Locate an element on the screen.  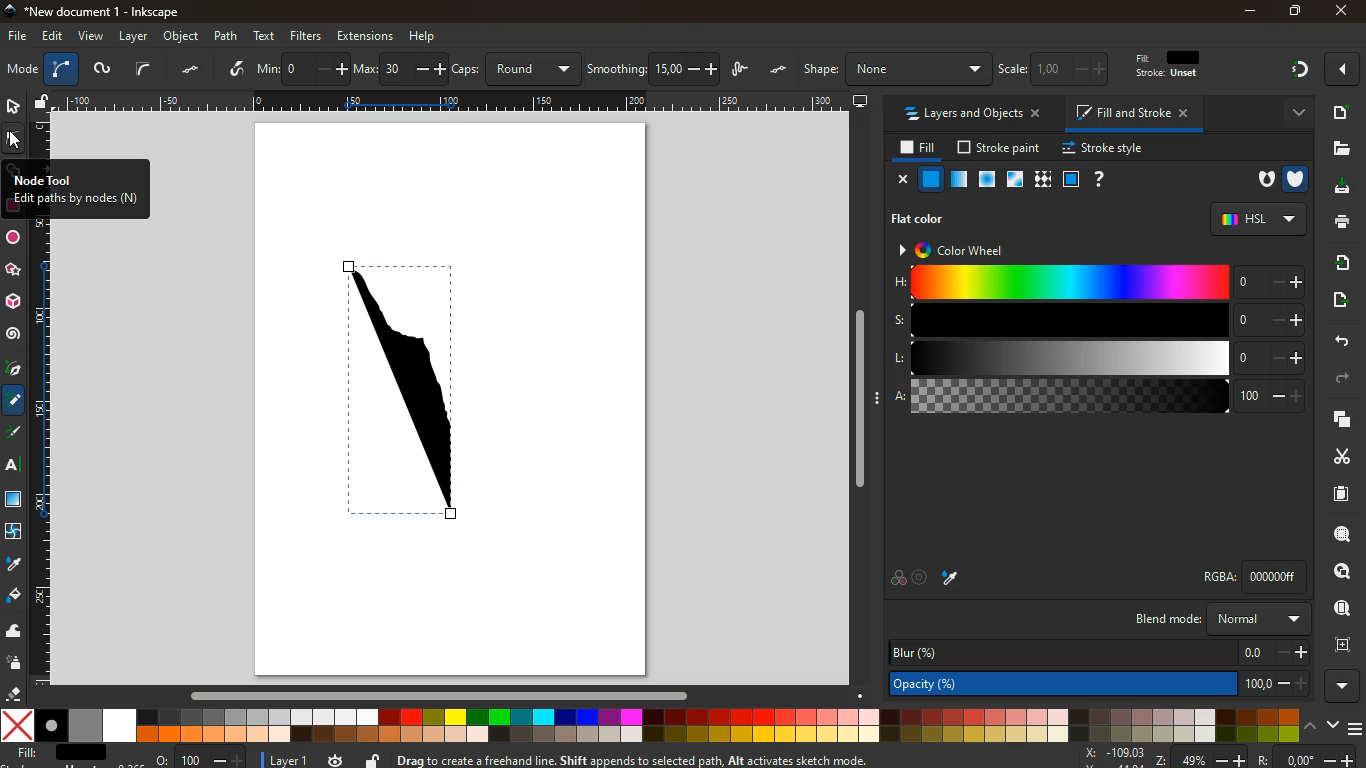
wave is located at coordinates (15, 630).